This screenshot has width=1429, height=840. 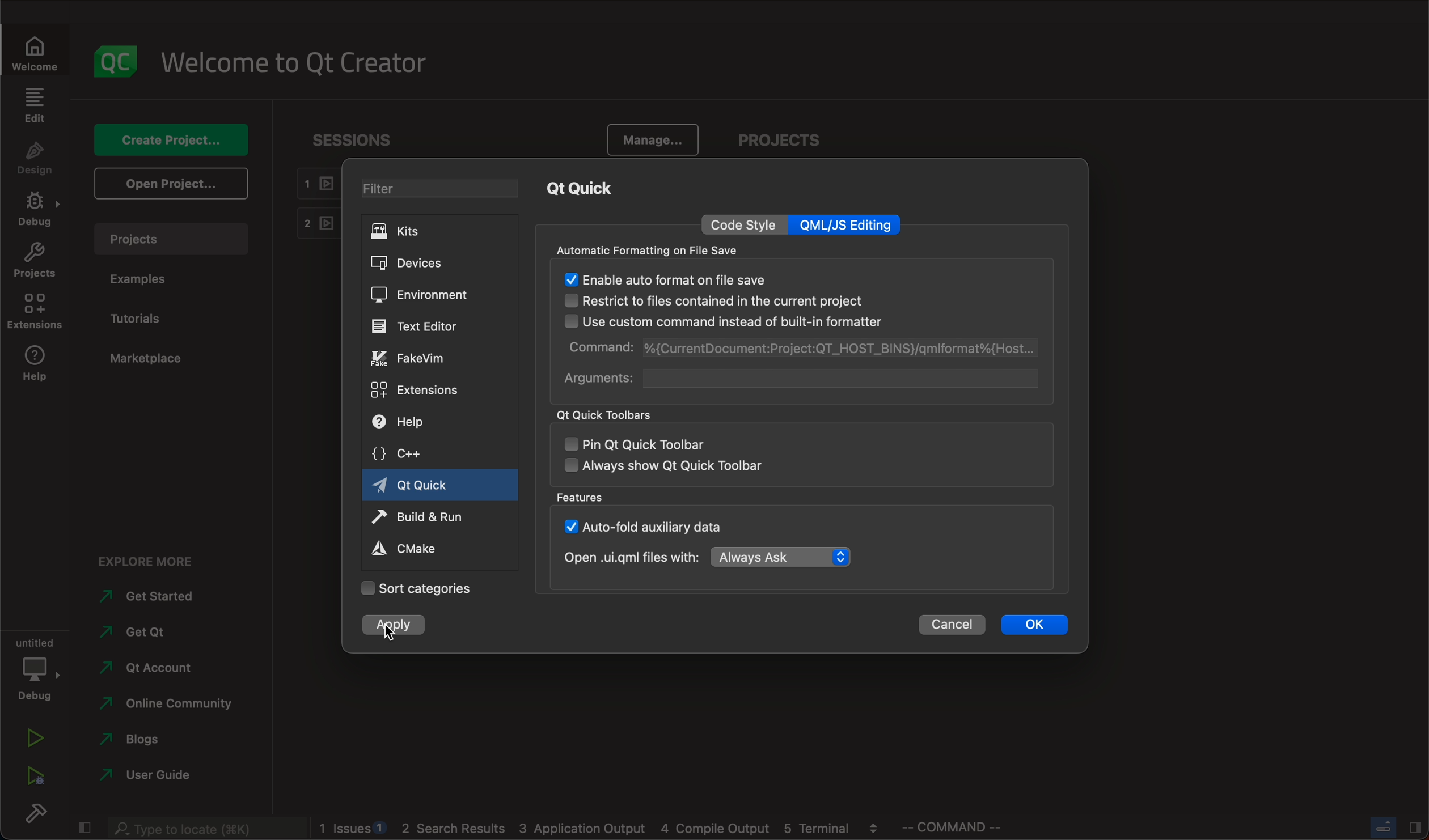 What do you see at coordinates (138, 740) in the screenshot?
I see `blogs` at bounding box center [138, 740].